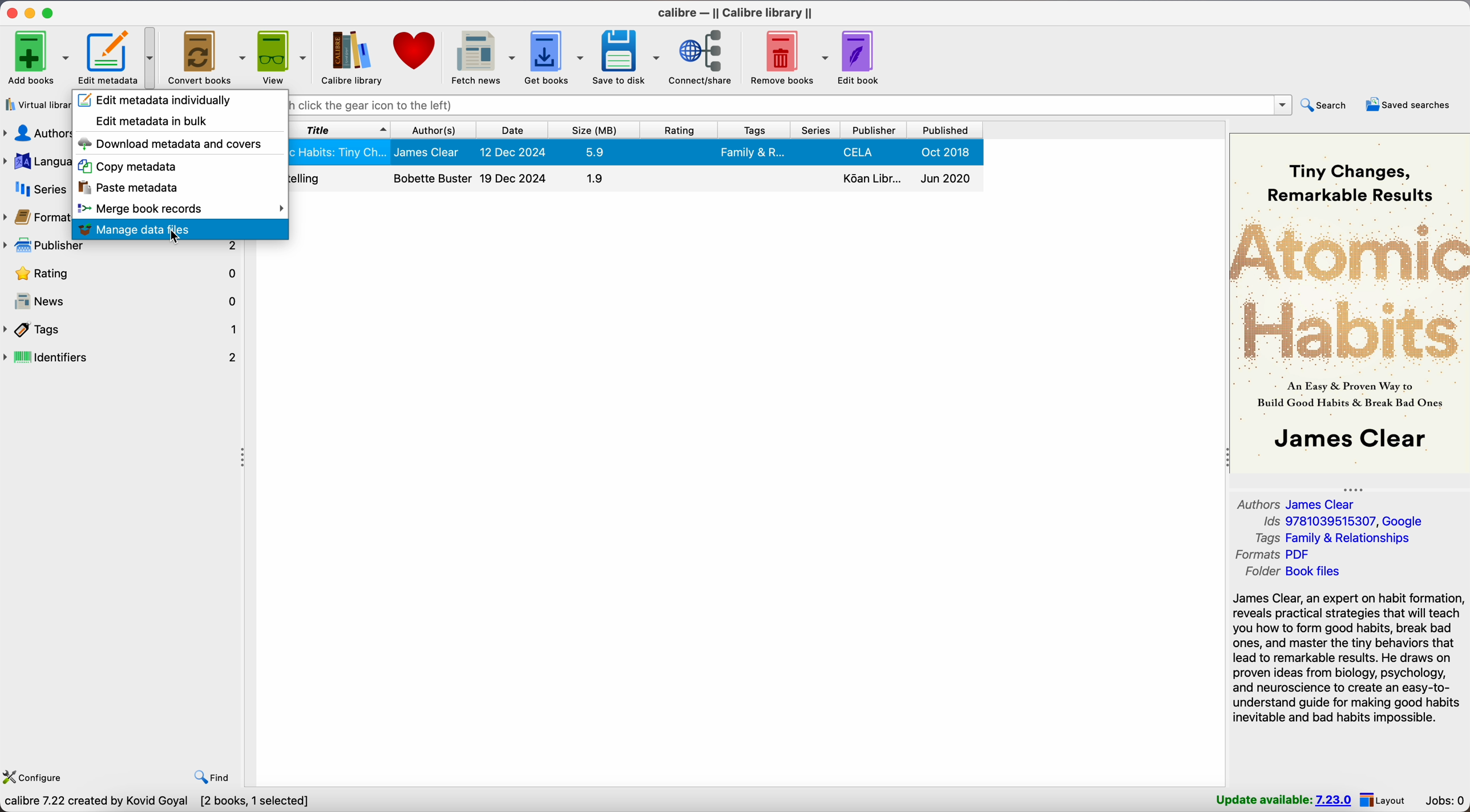 The image size is (1470, 812). What do you see at coordinates (341, 128) in the screenshot?
I see `title` at bounding box center [341, 128].